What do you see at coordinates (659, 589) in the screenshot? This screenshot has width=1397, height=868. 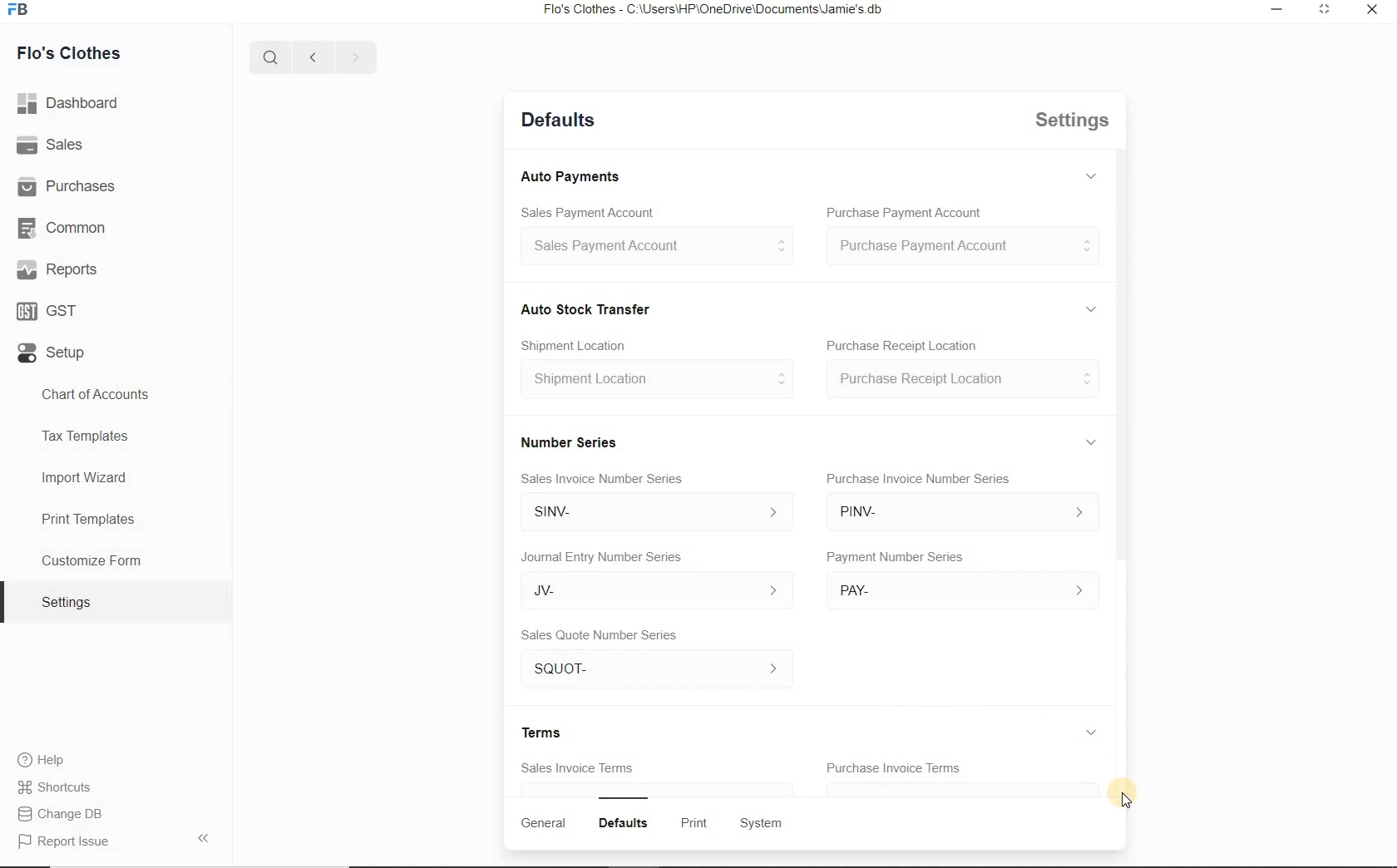 I see `JV-` at bounding box center [659, 589].